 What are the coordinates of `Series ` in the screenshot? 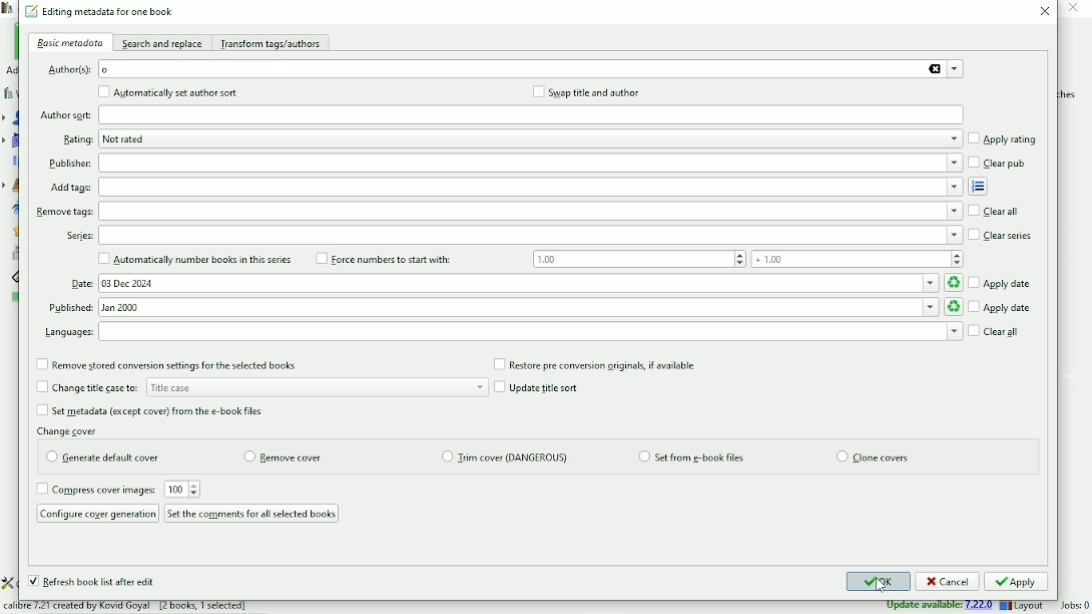 It's located at (79, 239).